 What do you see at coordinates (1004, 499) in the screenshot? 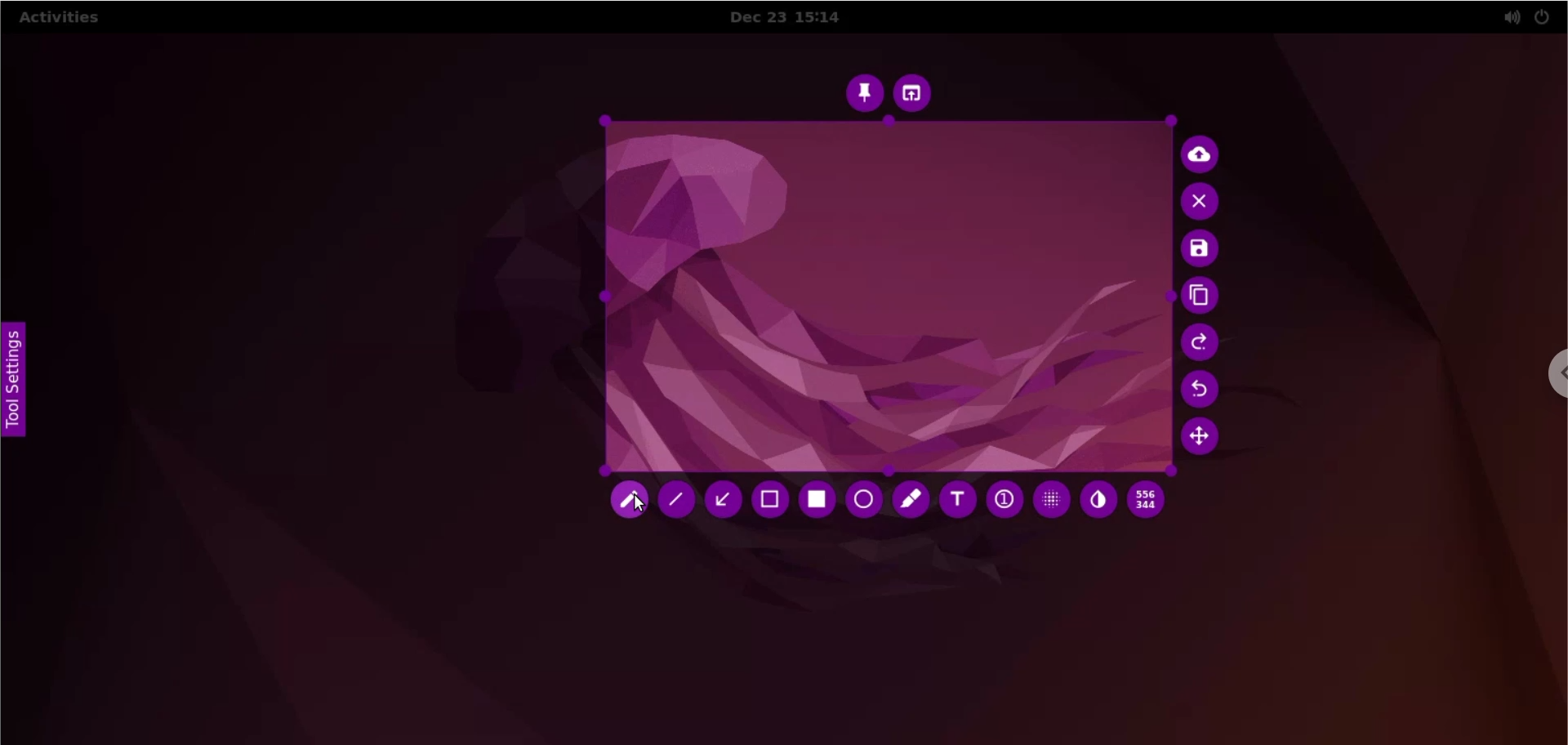
I see `auto increment` at bounding box center [1004, 499].